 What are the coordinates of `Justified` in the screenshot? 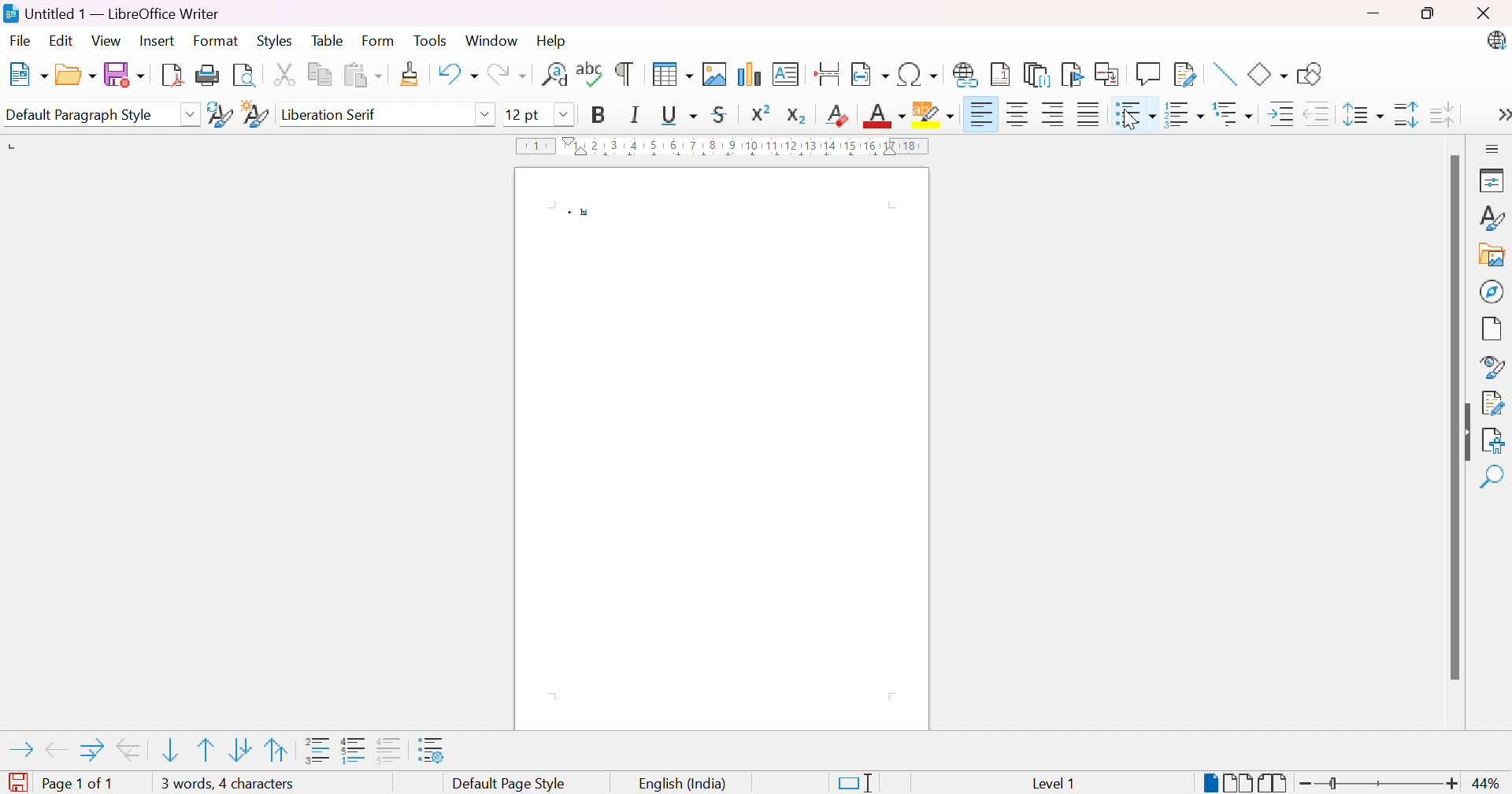 It's located at (1089, 113).